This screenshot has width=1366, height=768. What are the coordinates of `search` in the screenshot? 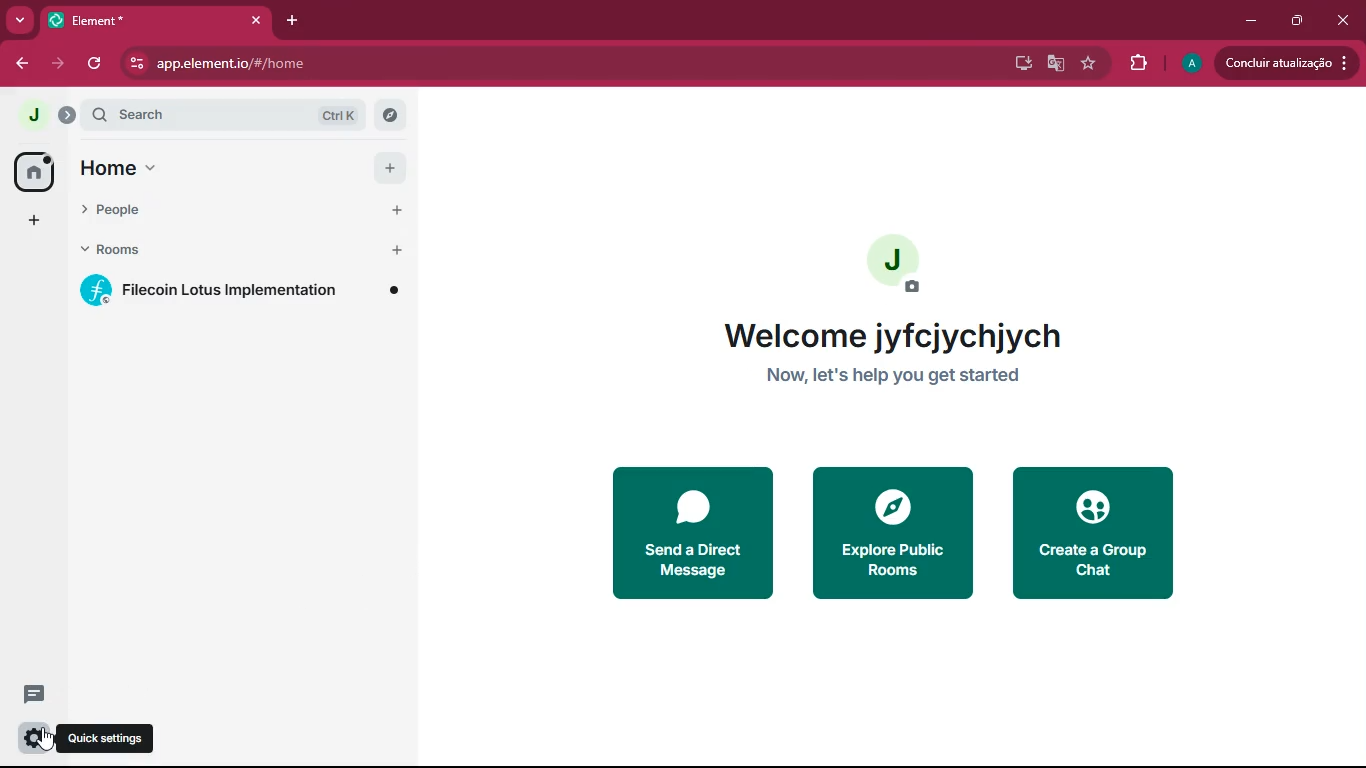 It's located at (184, 115).